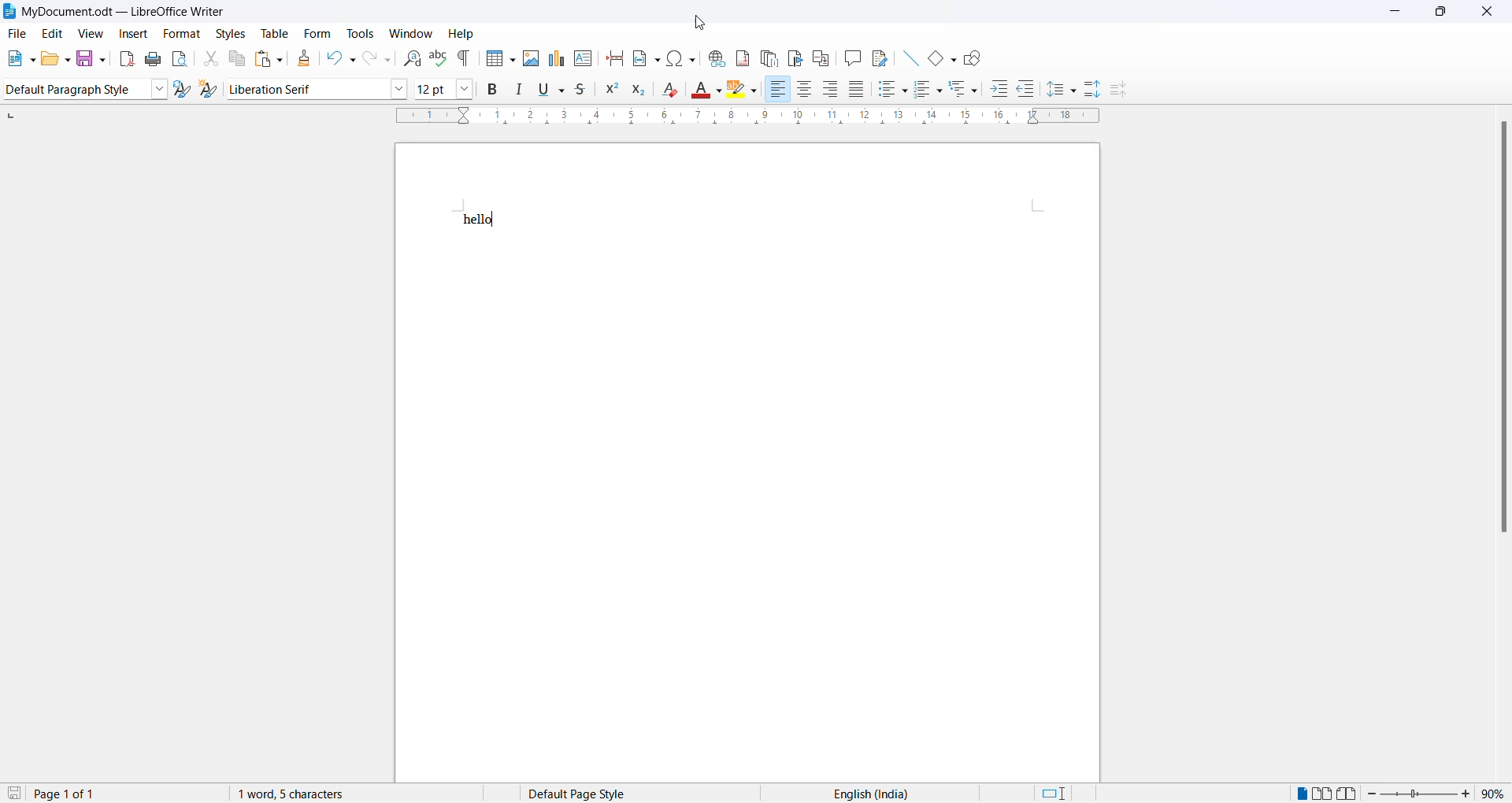  Describe the element at coordinates (114, 12) in the screenshot. I see `My Document.odt - libreoffice writer` at that location.